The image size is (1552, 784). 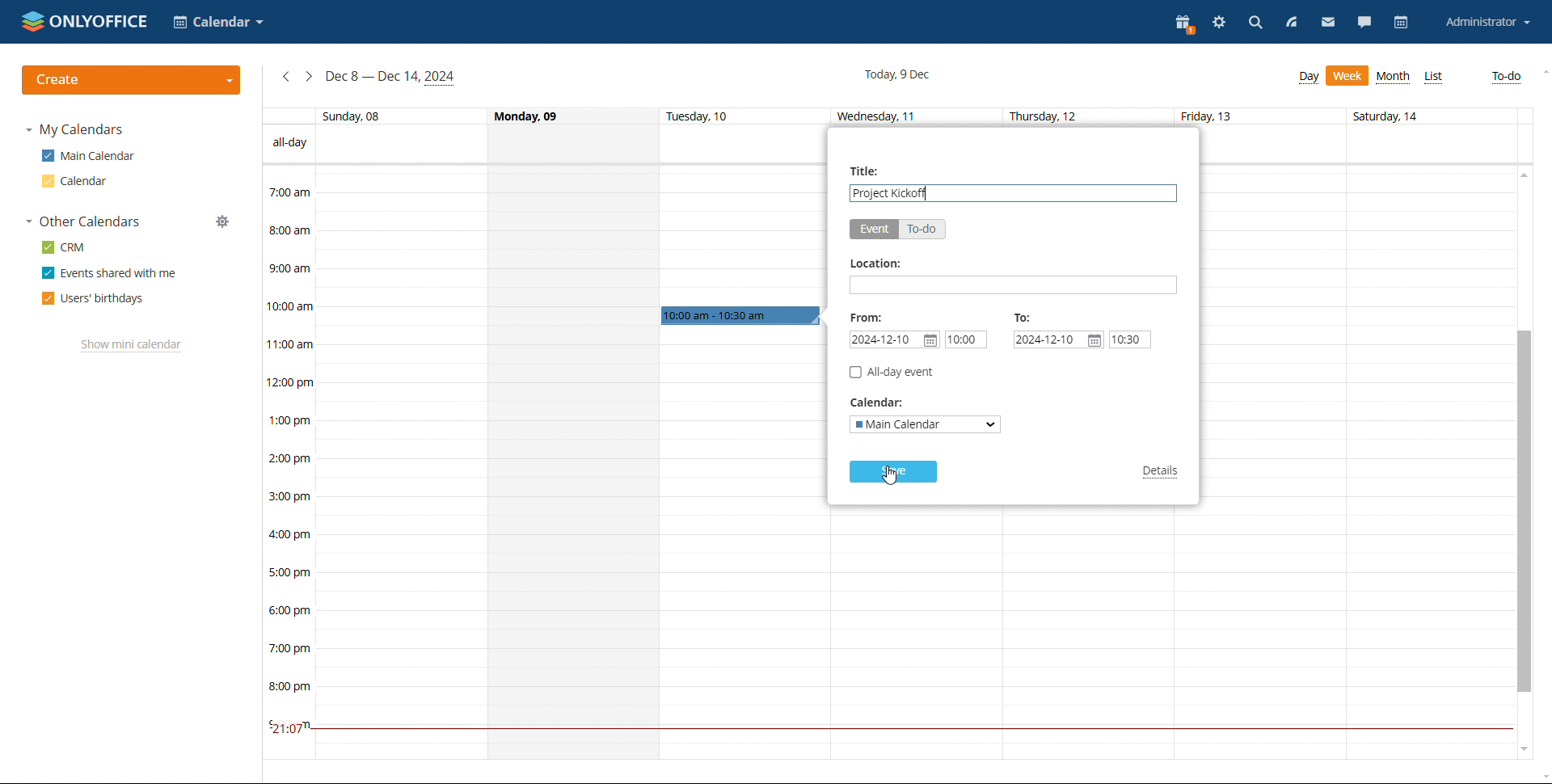 I want to click on crm, so click(x=65, y=247).